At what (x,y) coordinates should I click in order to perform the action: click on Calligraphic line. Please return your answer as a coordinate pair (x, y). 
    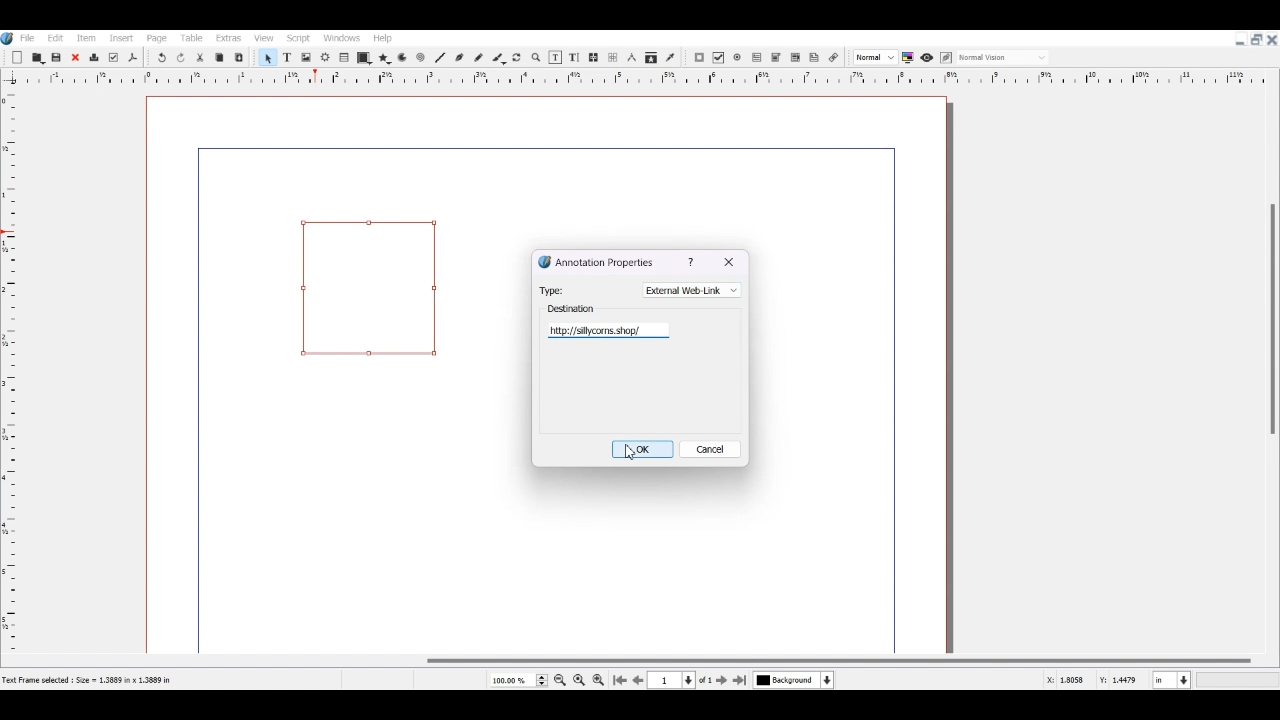
    Looking at the image, I should click on (499, 58).